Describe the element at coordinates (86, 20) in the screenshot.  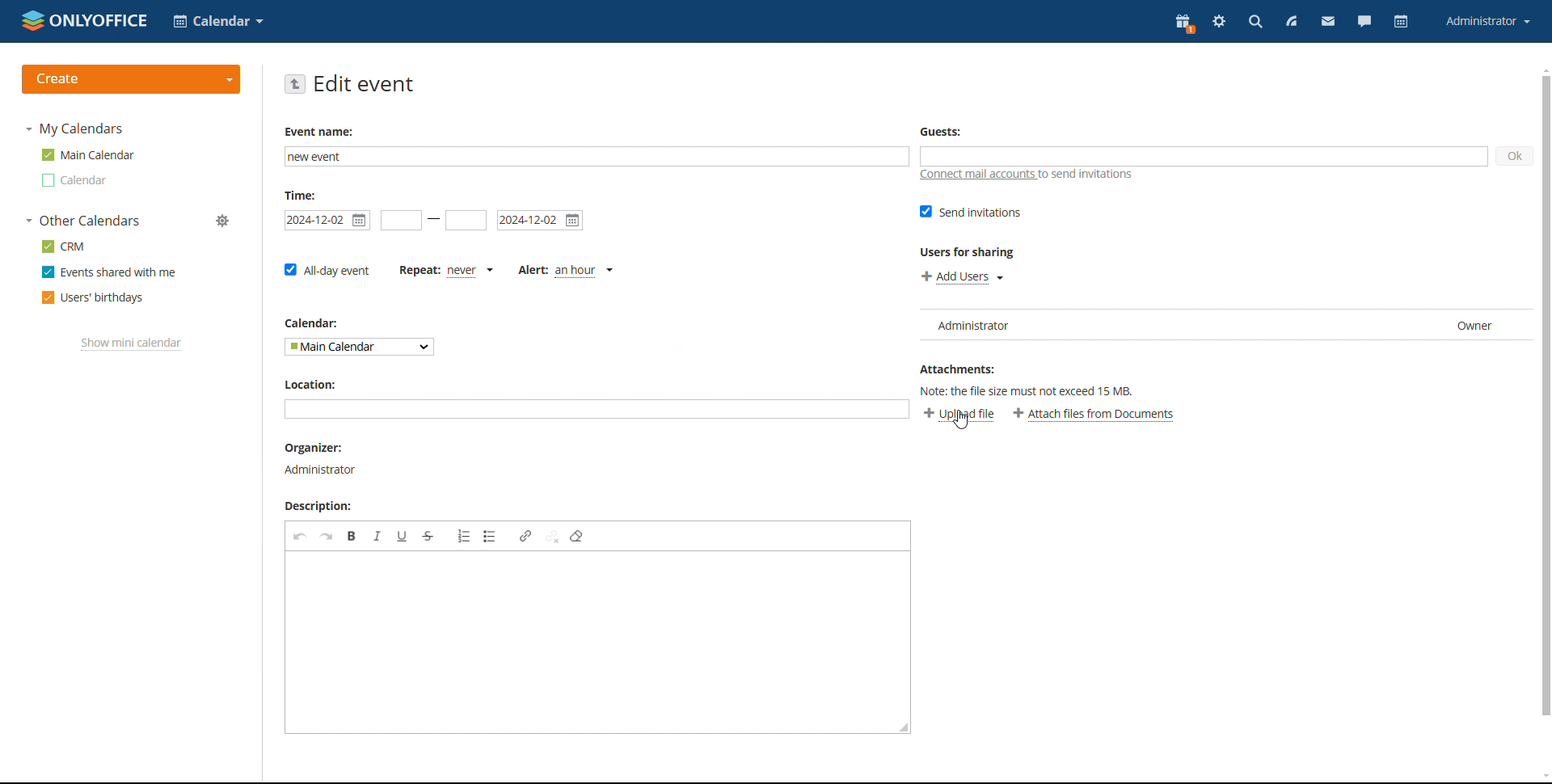
I see `logo` at that location.